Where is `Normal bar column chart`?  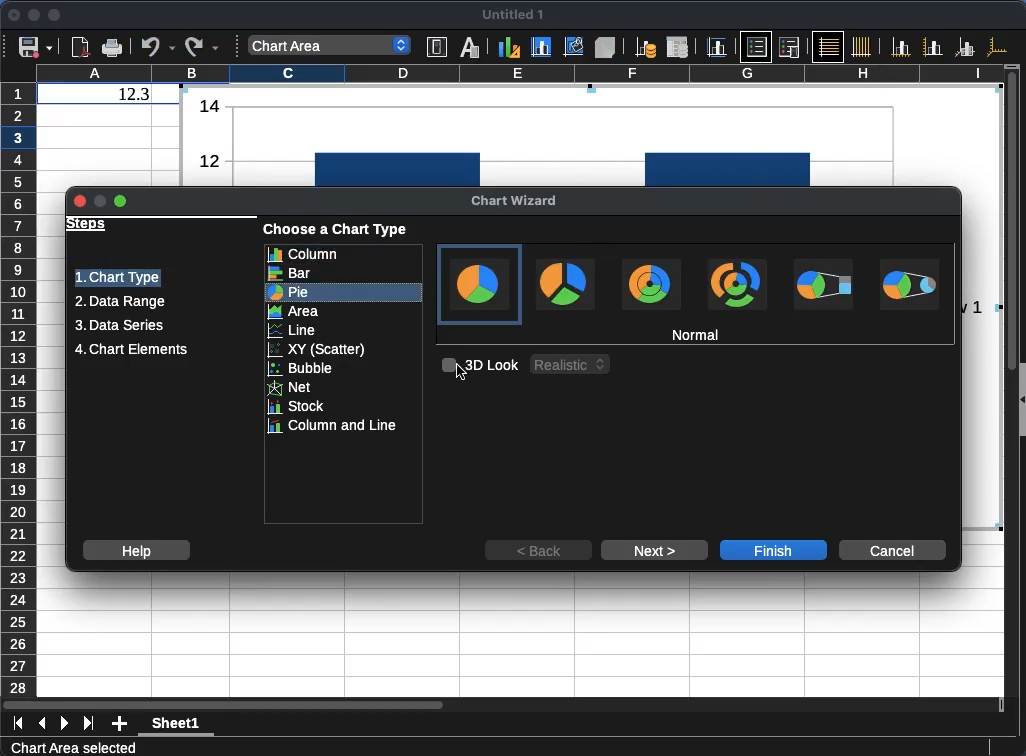 Normal bar column chart is located at coordinates (589, 135).